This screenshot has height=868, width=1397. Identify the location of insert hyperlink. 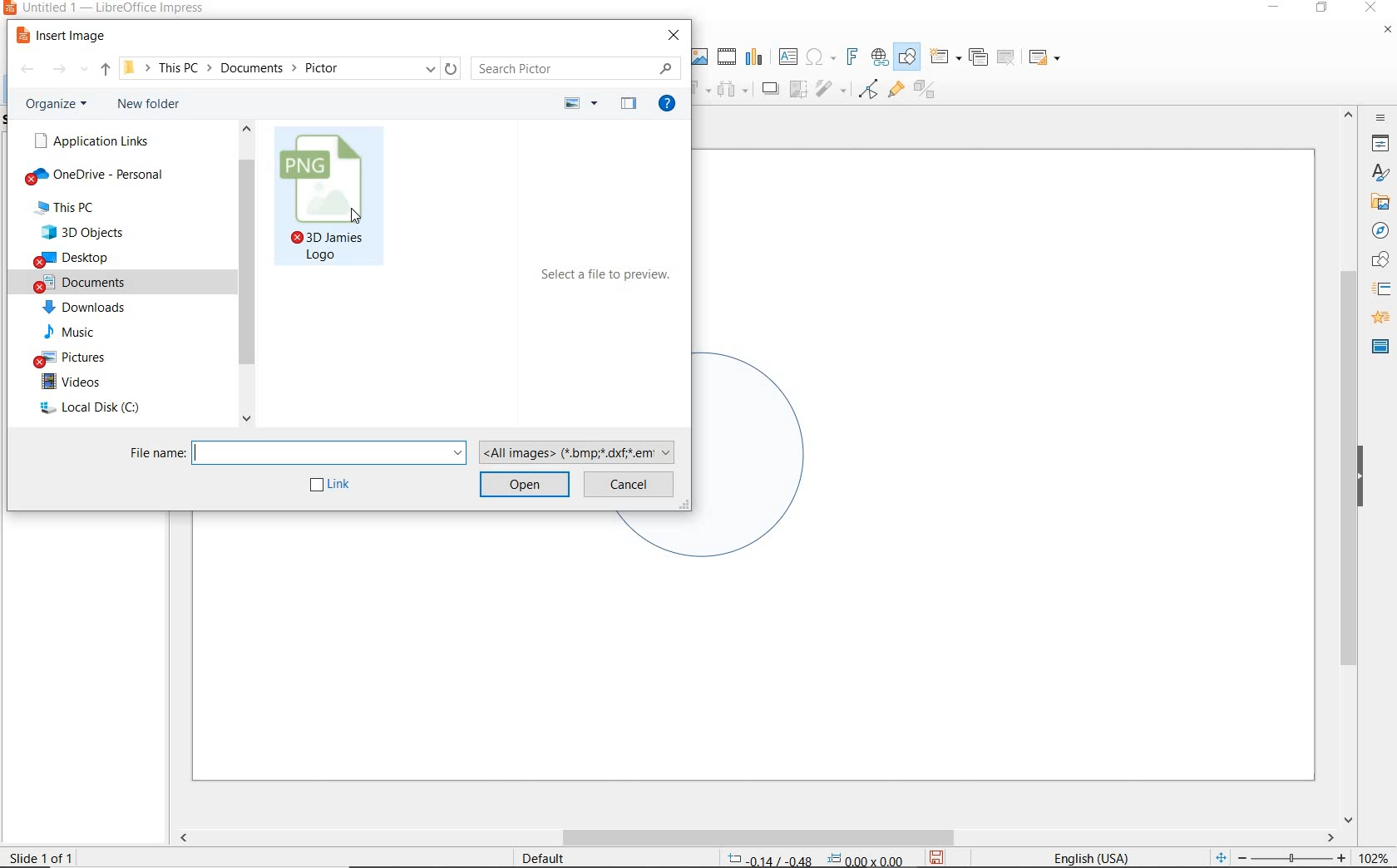
(880, 57).